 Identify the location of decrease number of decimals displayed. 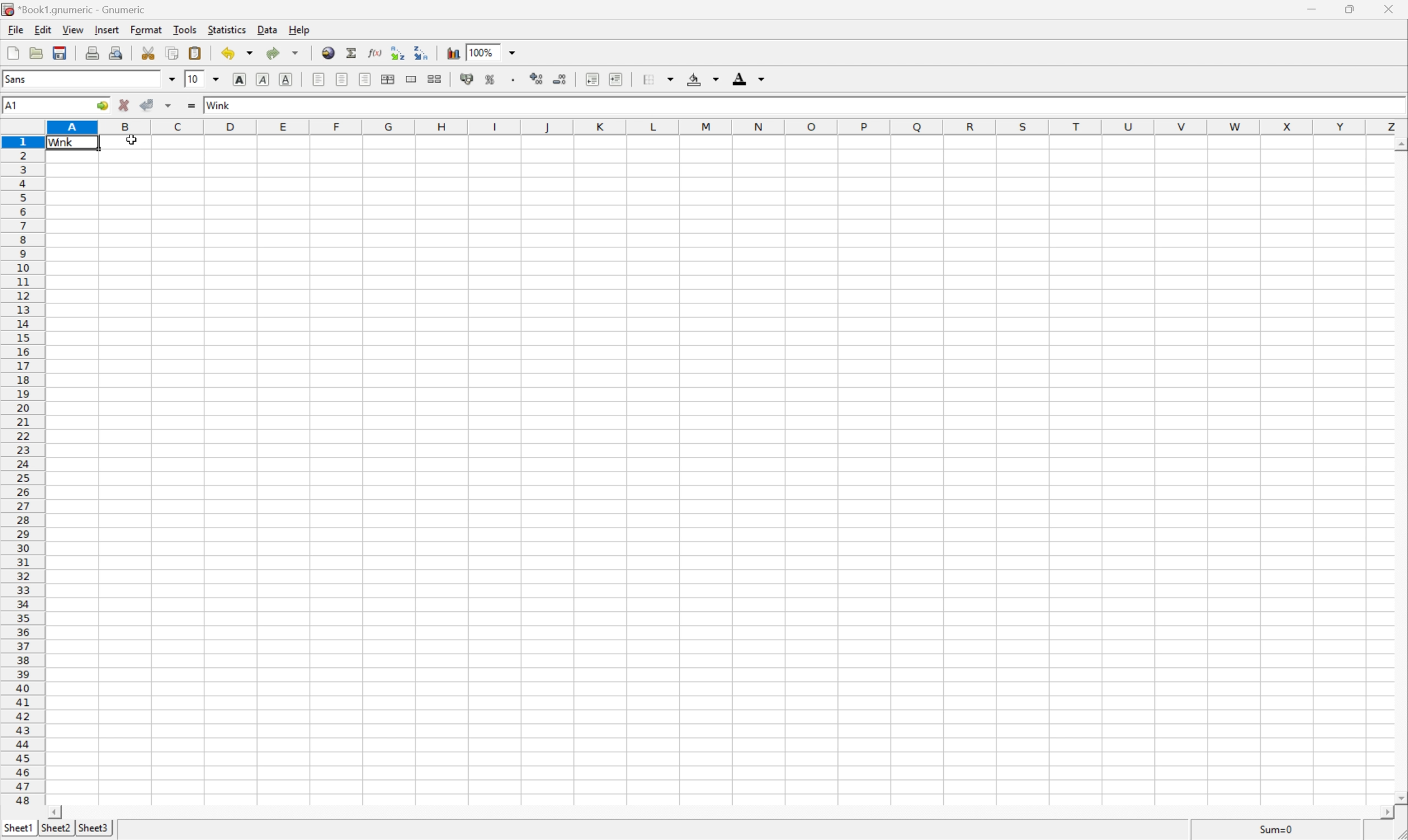
(562, 80).